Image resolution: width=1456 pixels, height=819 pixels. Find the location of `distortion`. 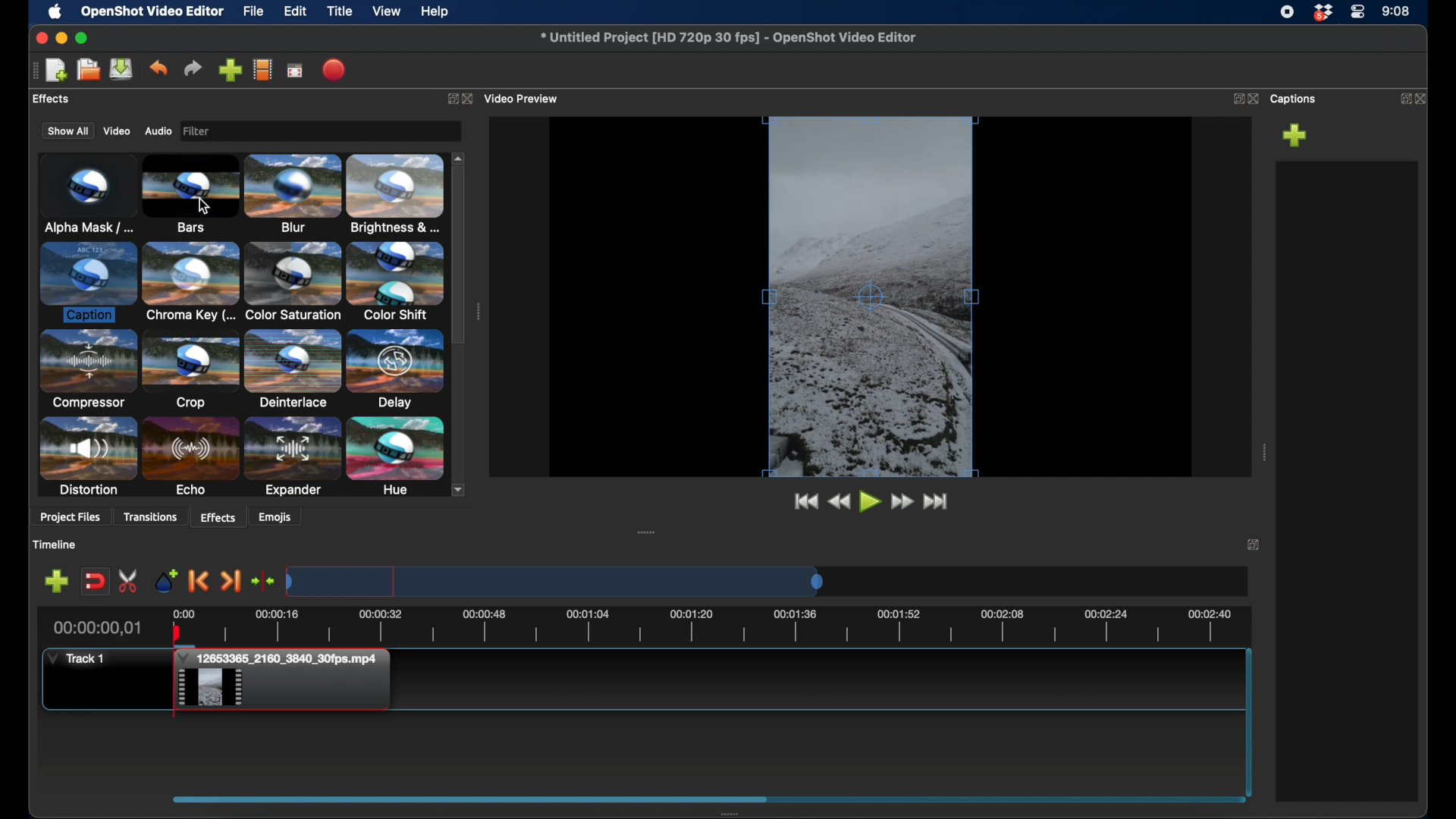

distortion is located at coordinates (88, 457).